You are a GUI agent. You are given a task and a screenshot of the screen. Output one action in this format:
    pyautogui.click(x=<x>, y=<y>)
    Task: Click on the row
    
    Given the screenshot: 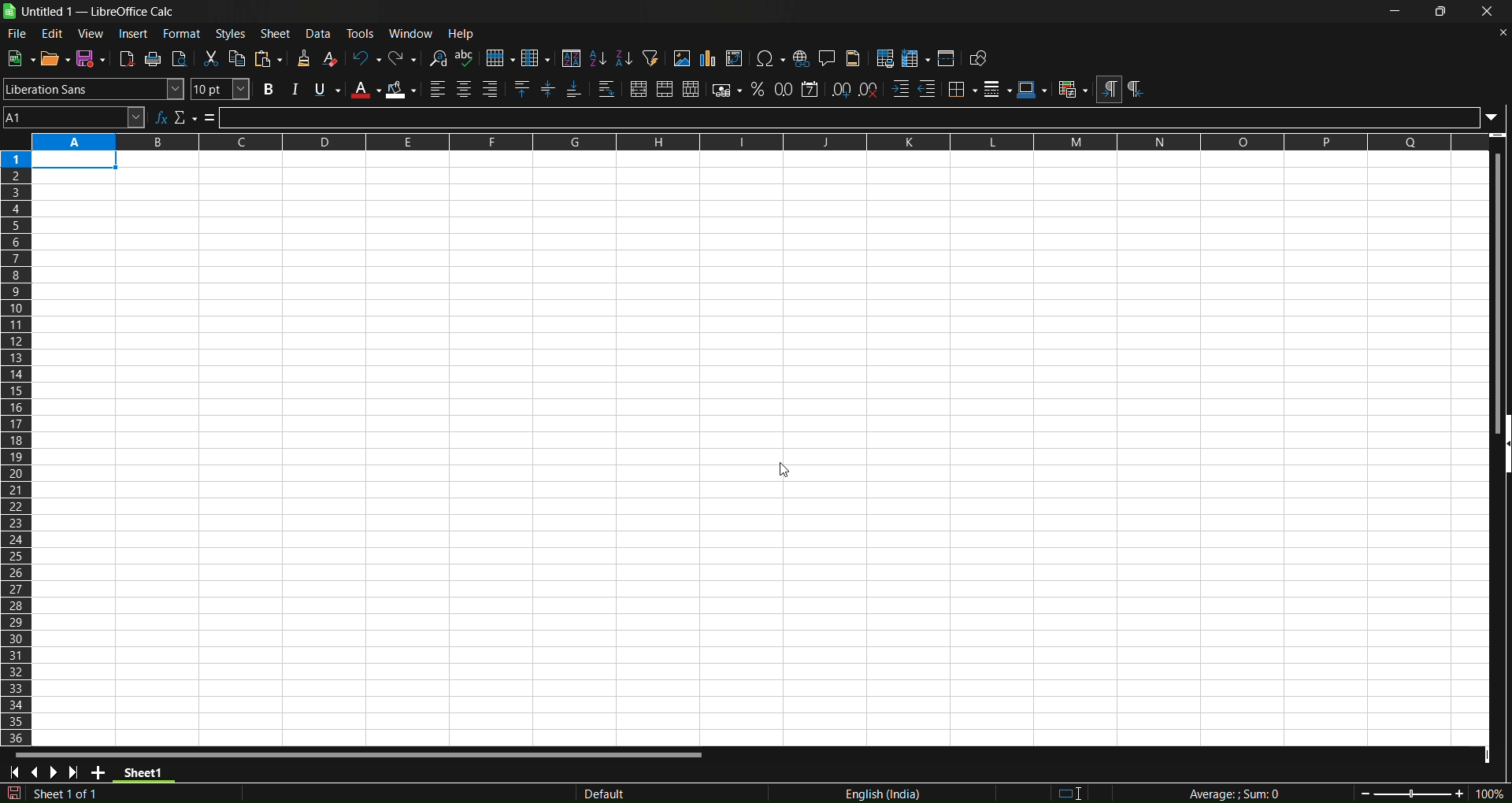 What is the action you would take?
    pyautogui.click(x=500, y=58)
    